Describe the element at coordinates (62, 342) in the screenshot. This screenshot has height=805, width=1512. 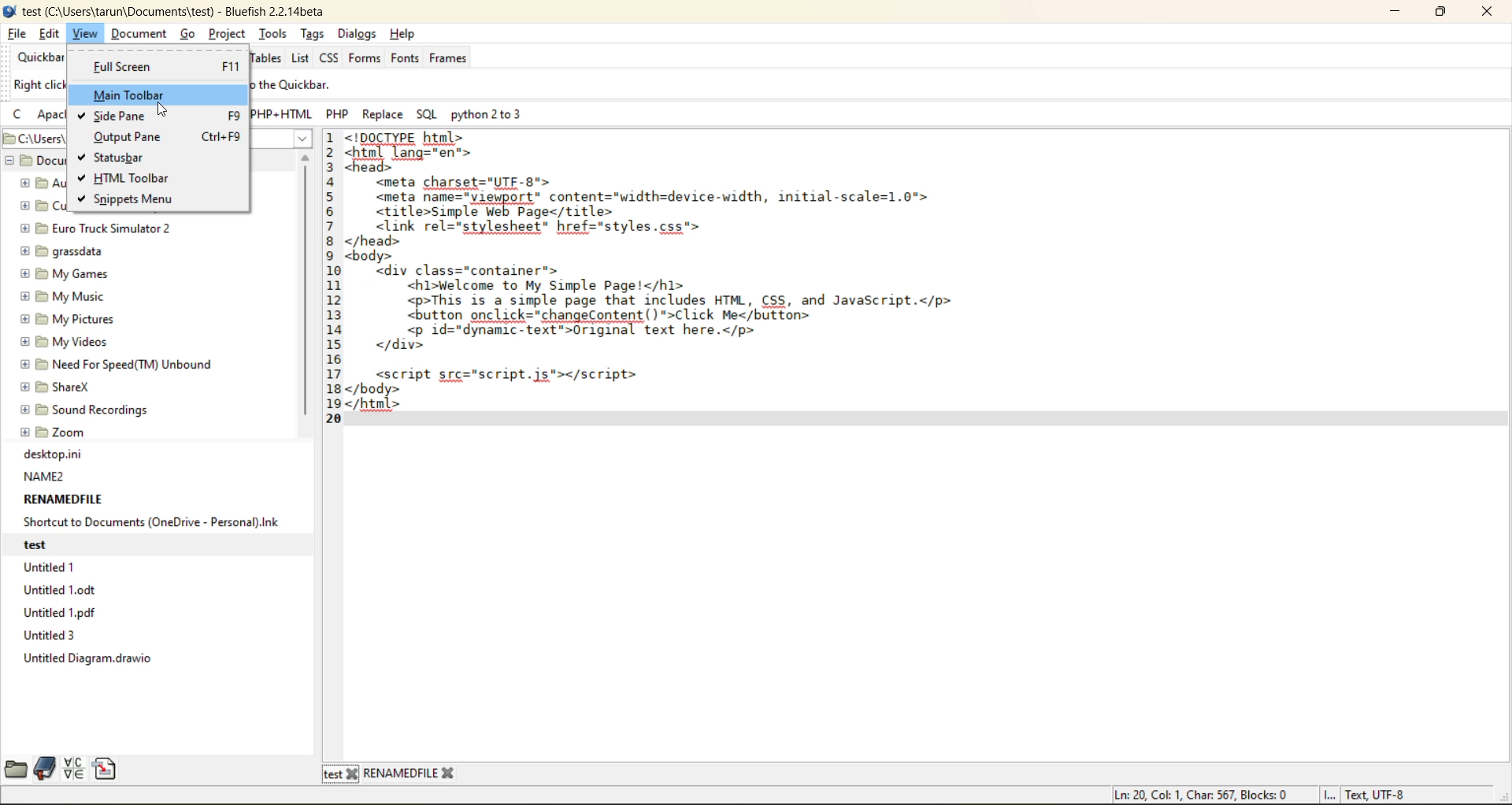
I see `® 3 My Videos` at that location.